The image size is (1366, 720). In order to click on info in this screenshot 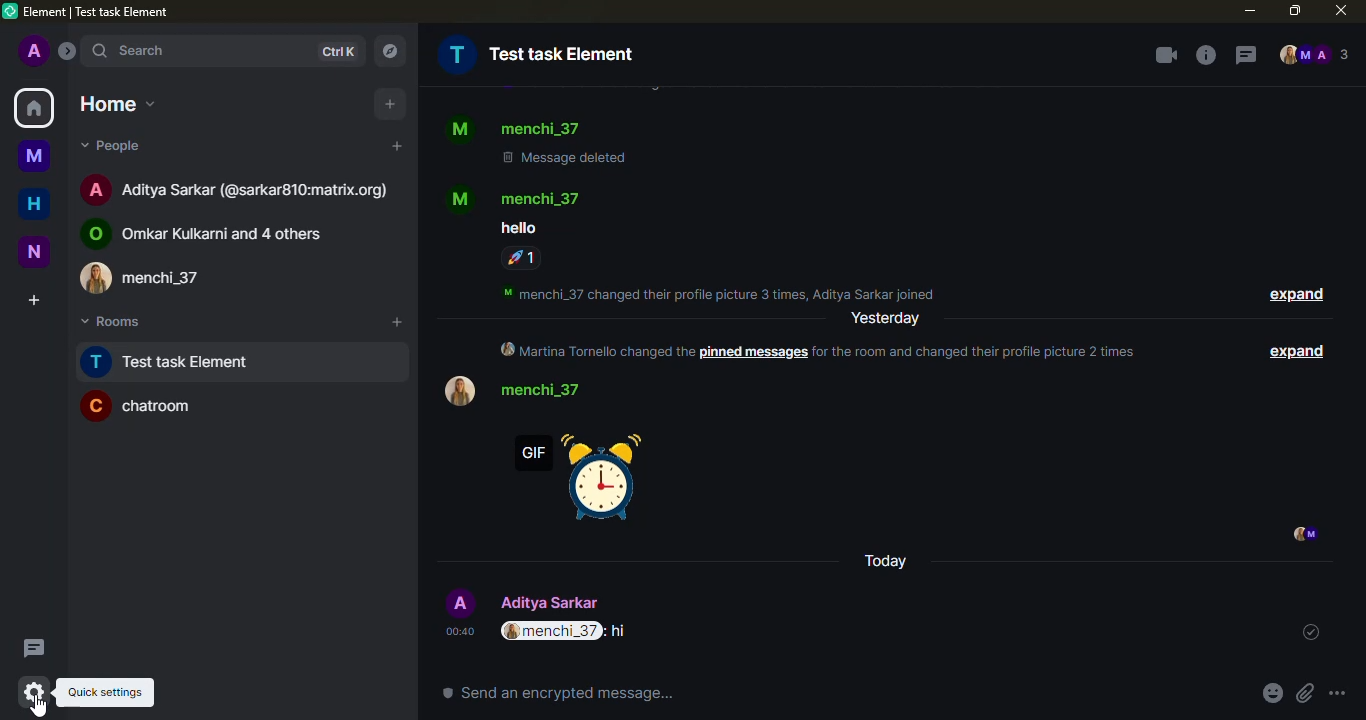, I will do `click(1203, 55)`.